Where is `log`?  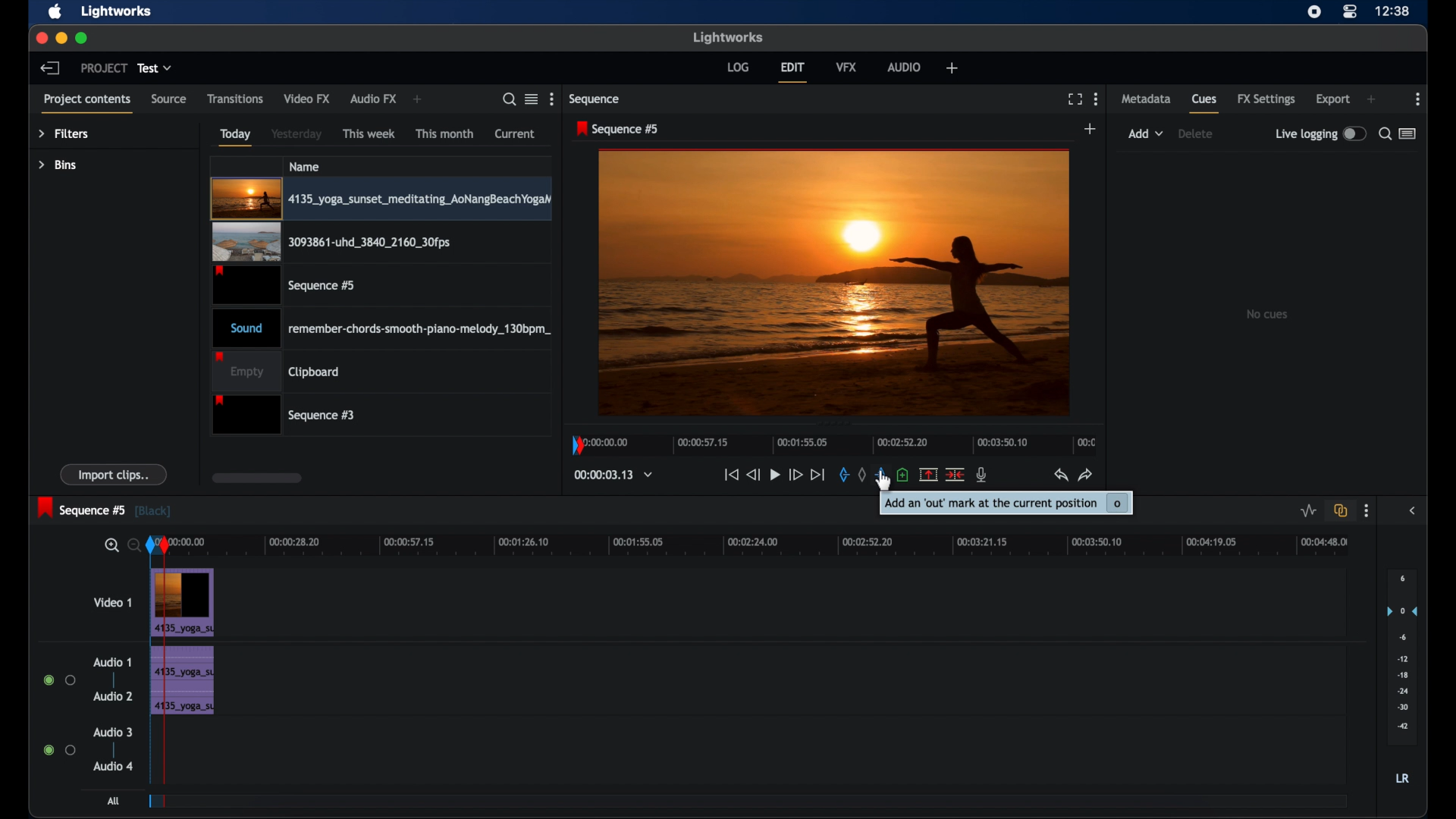
log is located at coordinates (738, 67).